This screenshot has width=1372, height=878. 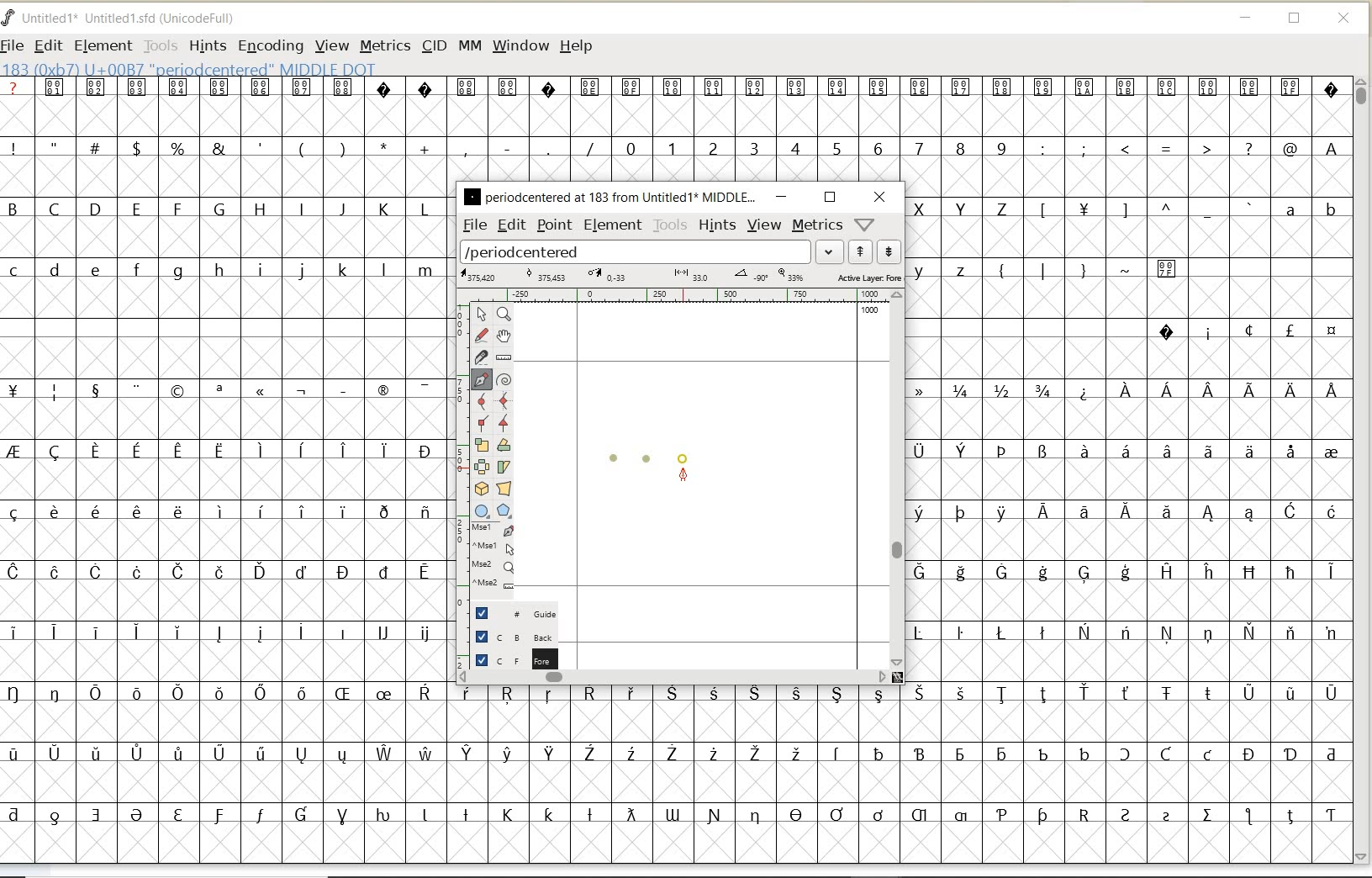 I want to click on point, so click(x=554, y=226).